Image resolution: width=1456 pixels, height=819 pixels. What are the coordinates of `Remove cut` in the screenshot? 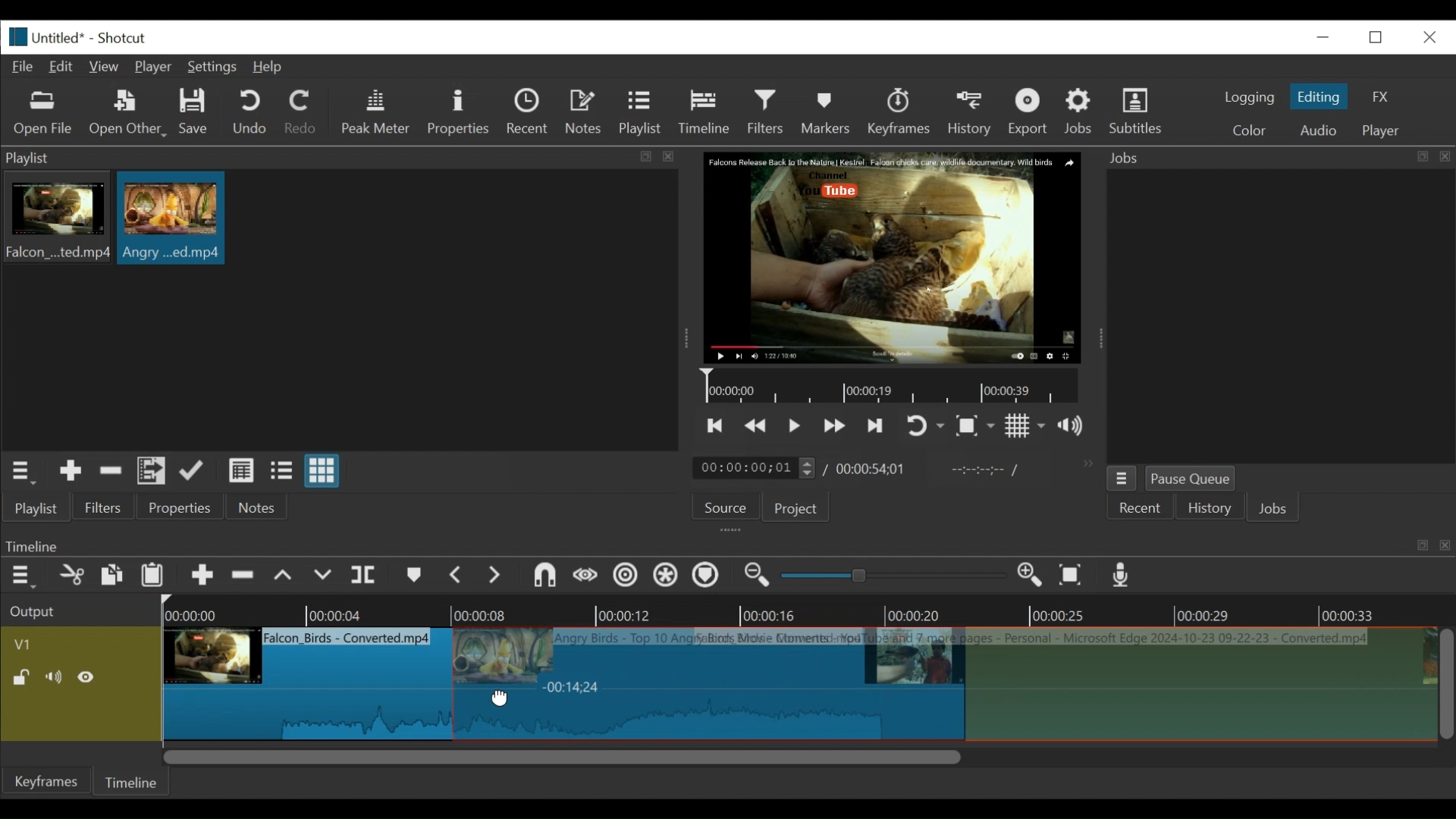 It's located at (245, 578).